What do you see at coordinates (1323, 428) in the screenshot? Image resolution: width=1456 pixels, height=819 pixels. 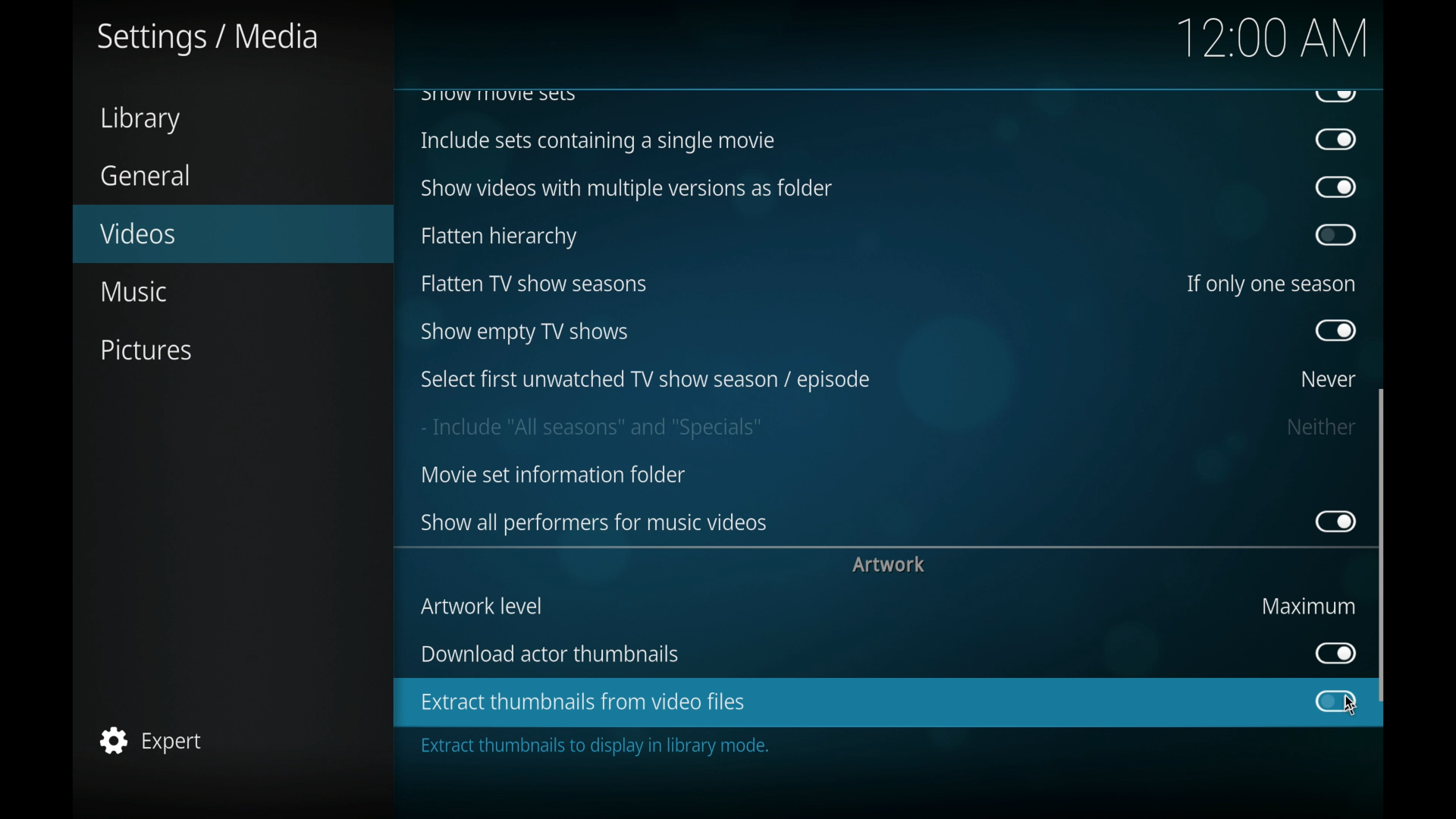 I see `neither` at bounding box center [1323, 428].